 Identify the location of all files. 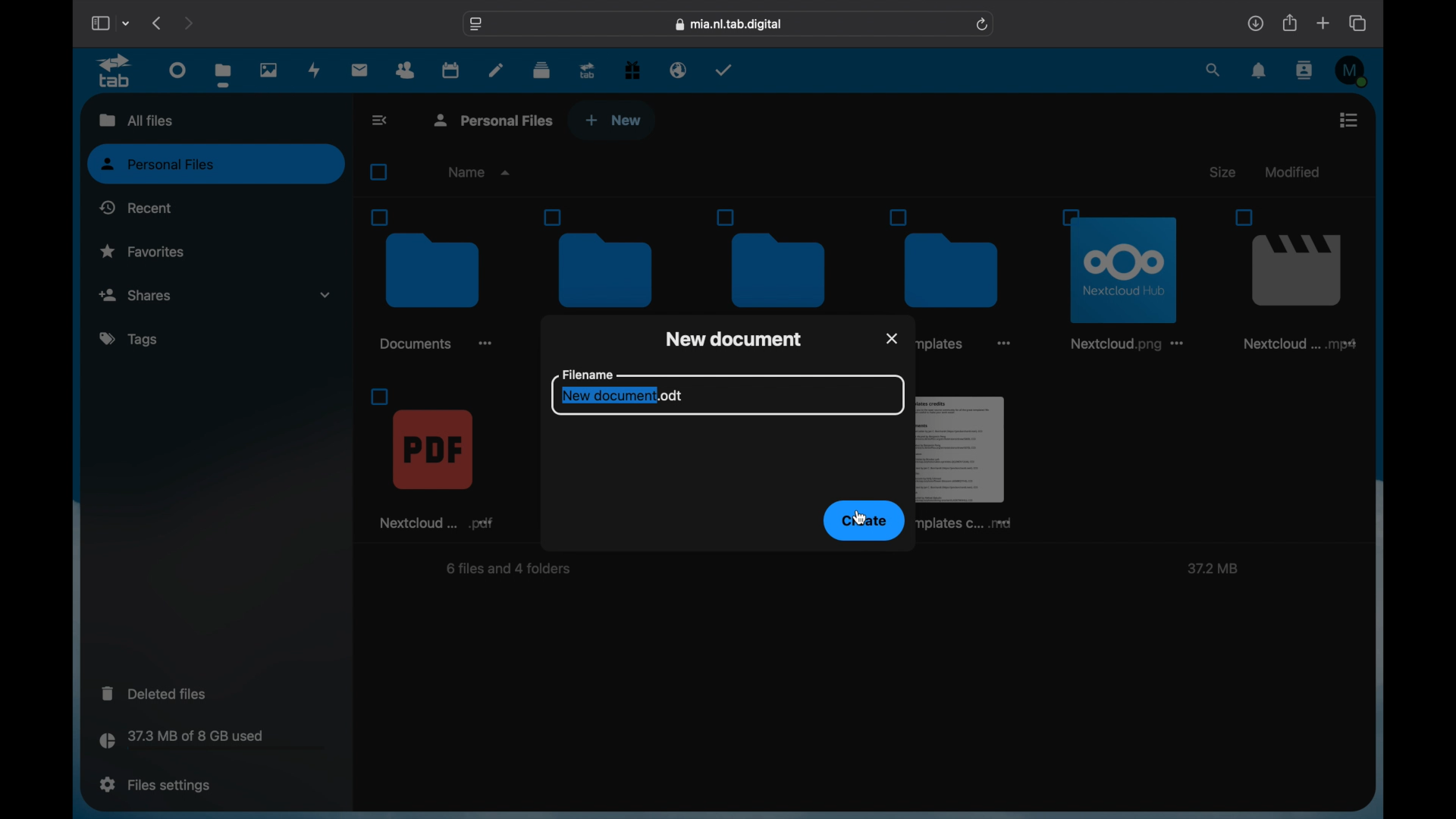
(133, 119).